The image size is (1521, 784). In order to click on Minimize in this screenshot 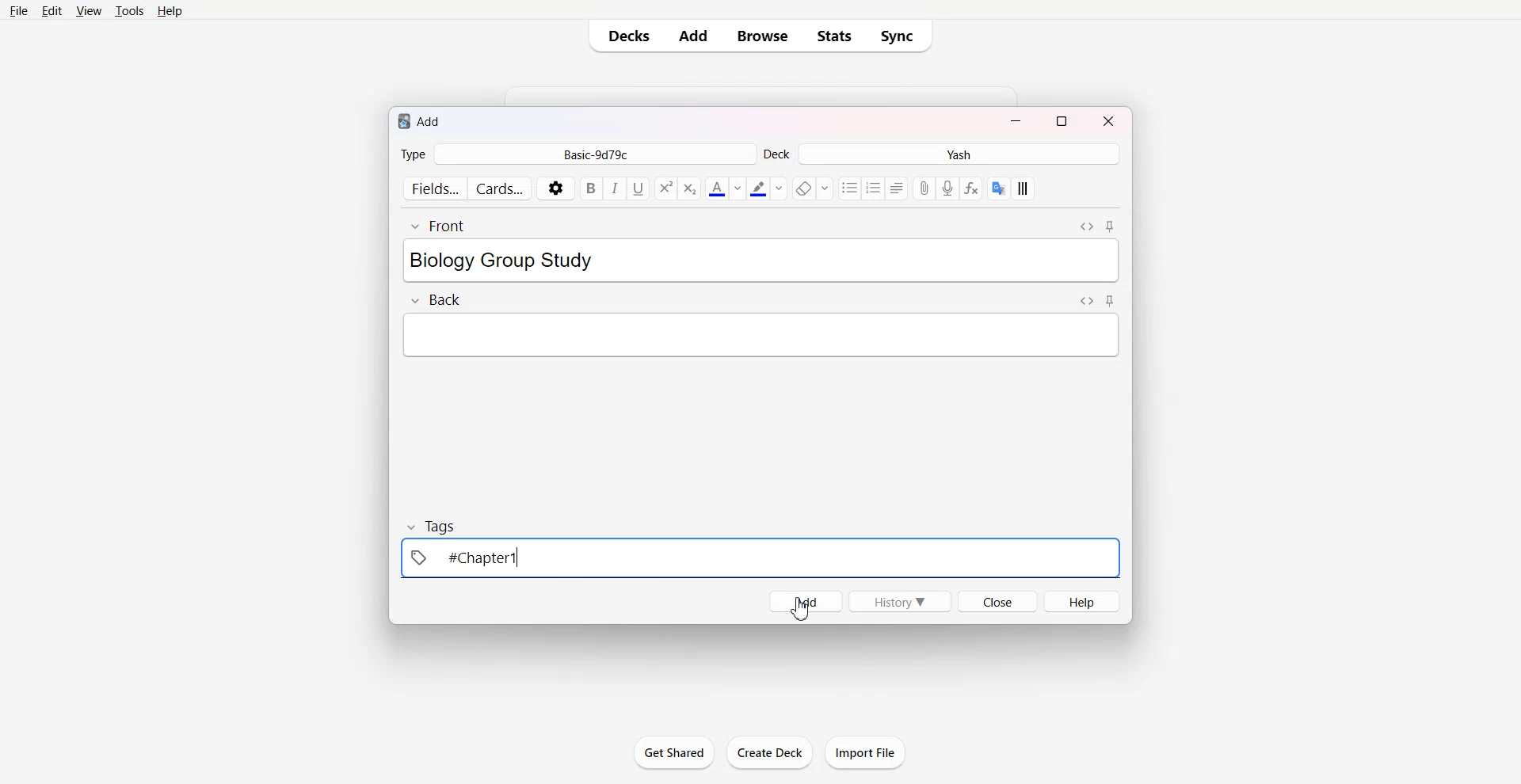, I will do `click(1016, 120)`.